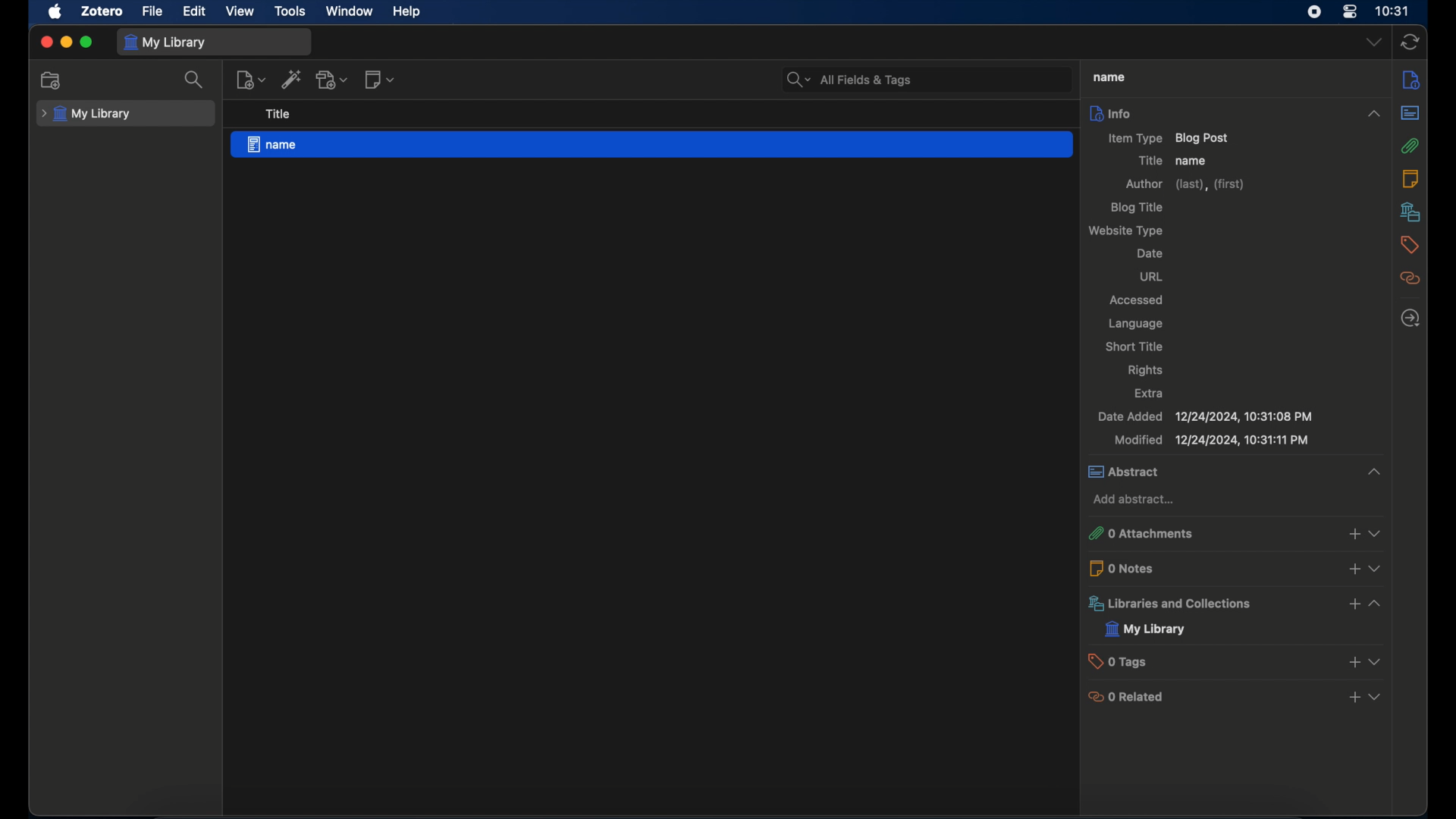 Image resolution: width=1456 pixels, height=819 pixels. What do you see at coordinates (1134, 501) in the screenshot?
I see `add abstract` at bounding box center [1134, 501].